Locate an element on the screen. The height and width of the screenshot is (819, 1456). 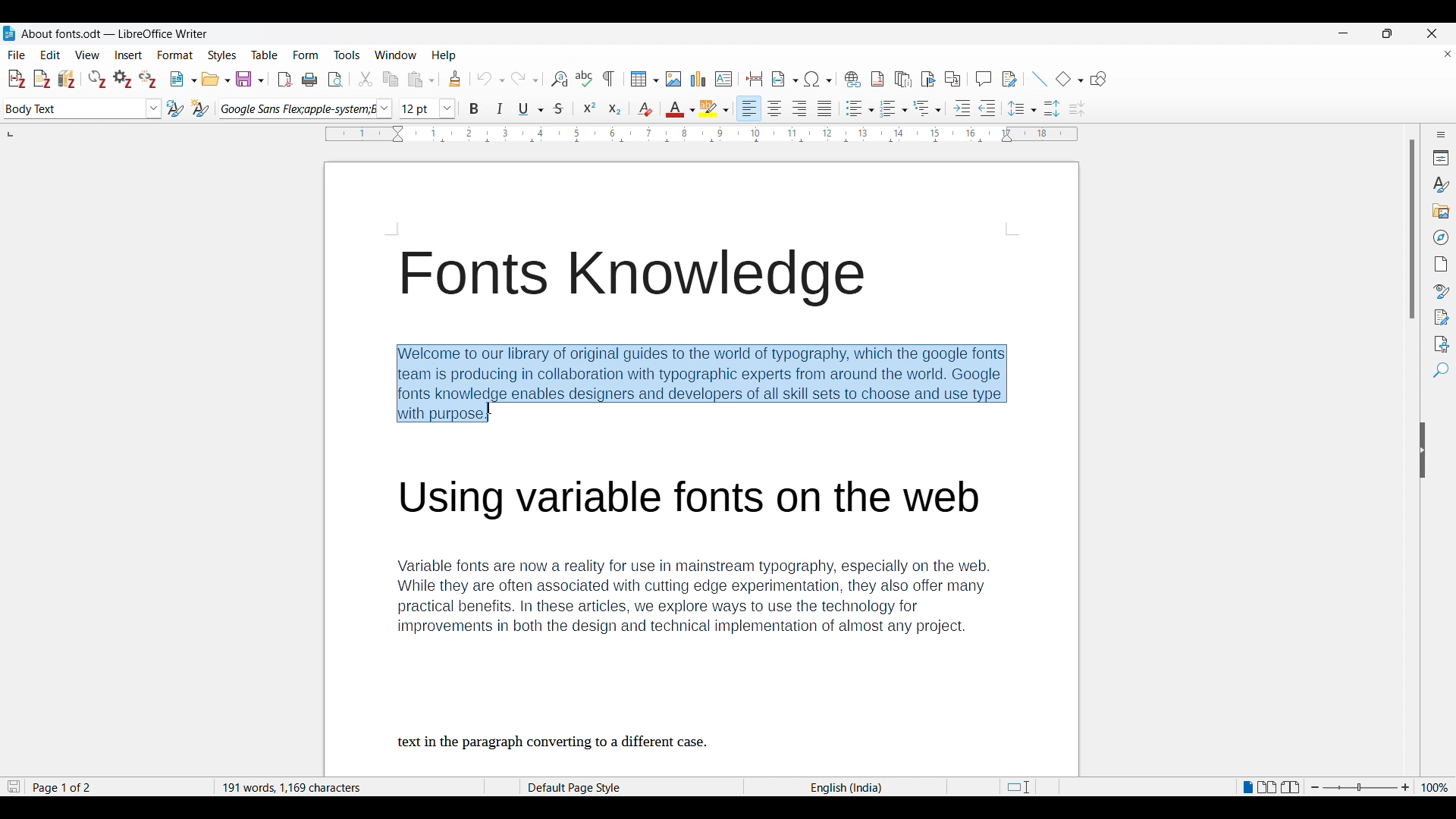
Update selected style is located at coordinates (175, 108).